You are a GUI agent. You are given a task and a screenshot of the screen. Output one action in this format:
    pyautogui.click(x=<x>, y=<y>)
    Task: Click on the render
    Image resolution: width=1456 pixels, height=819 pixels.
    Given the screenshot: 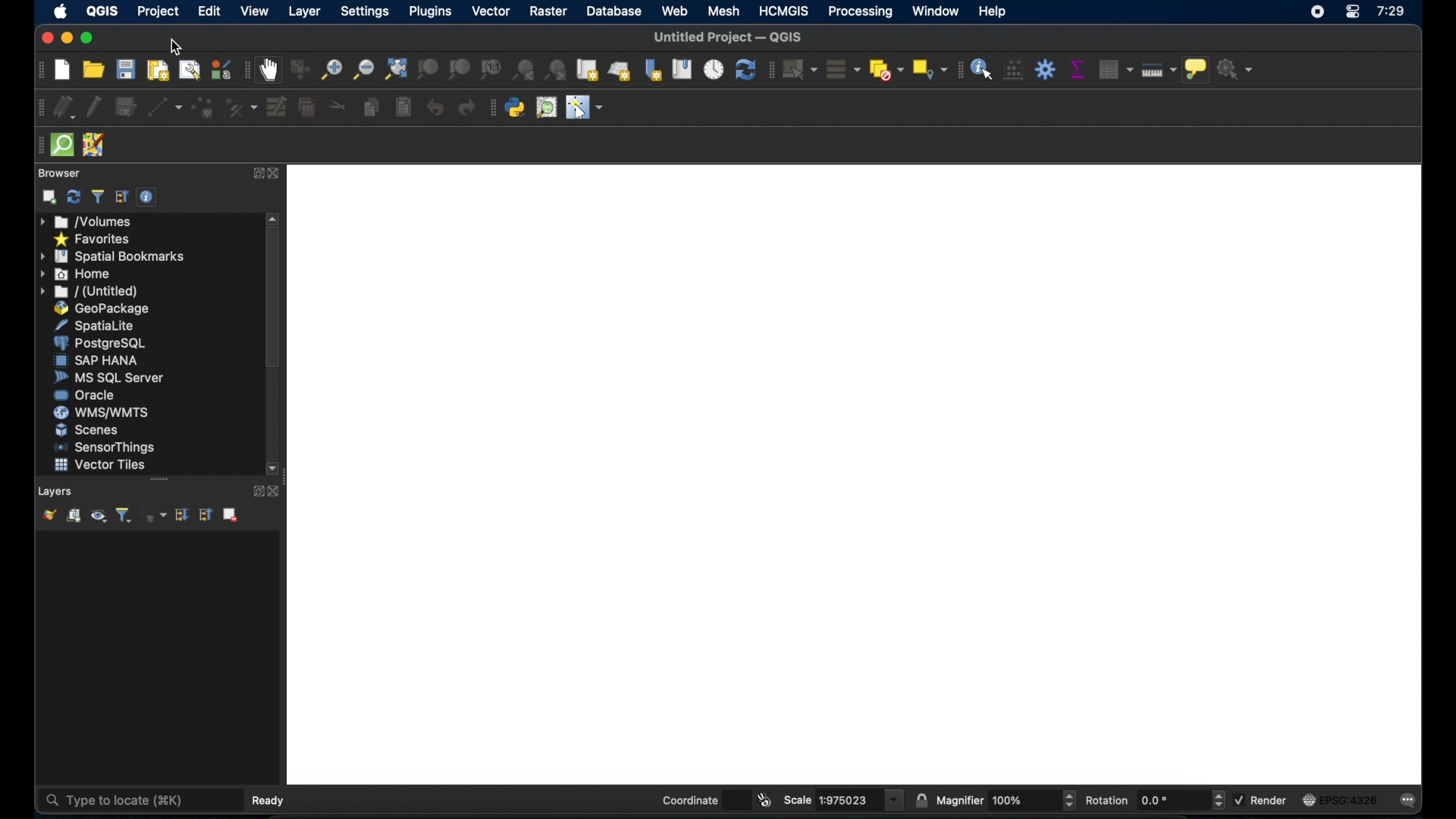 What is the action you would take?
    pyautogui.click(x=1271, y=801)
    